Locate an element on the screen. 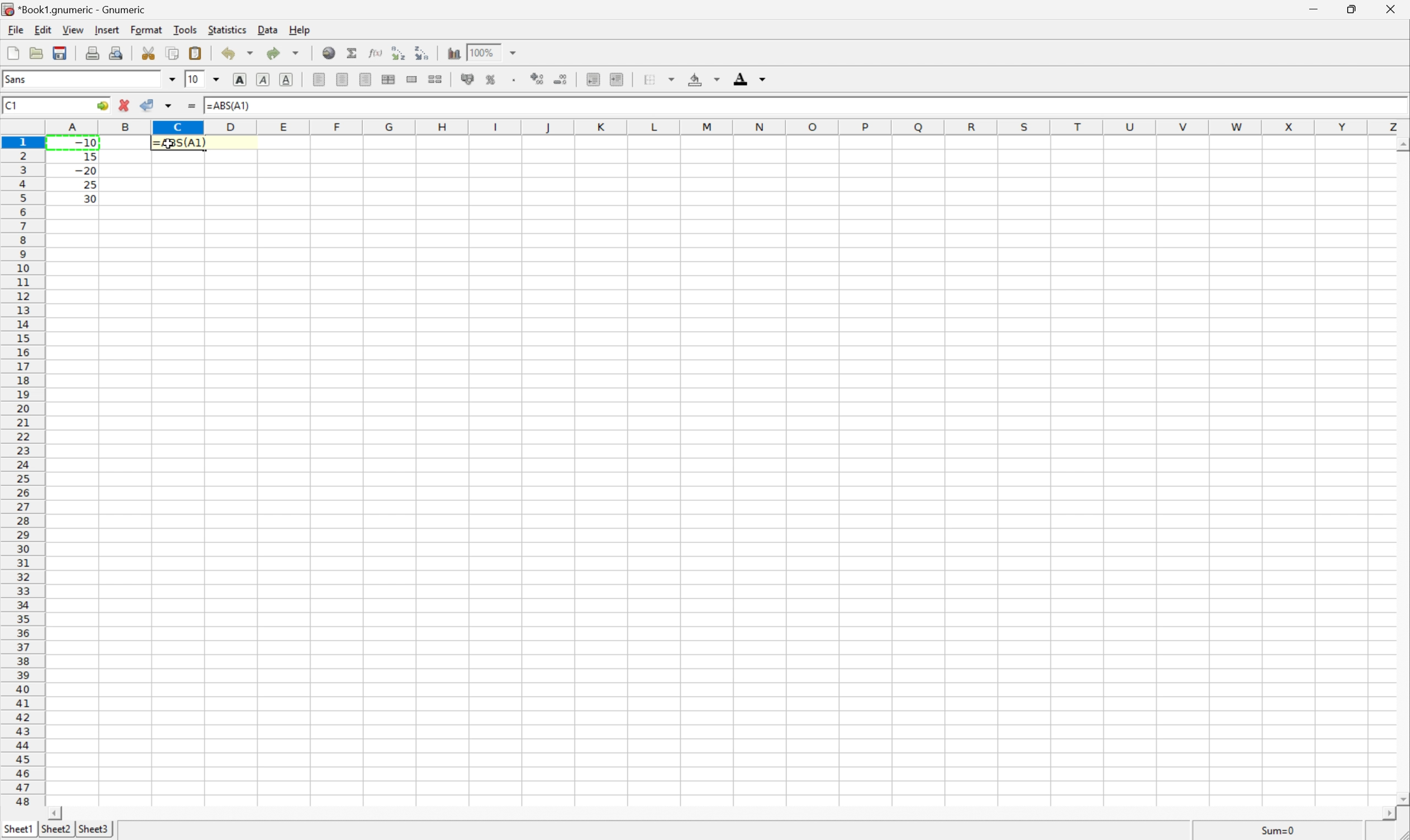 The width and height of the screenshot is (1410, 840). Scroll down is located at coordinates (1401, 797).